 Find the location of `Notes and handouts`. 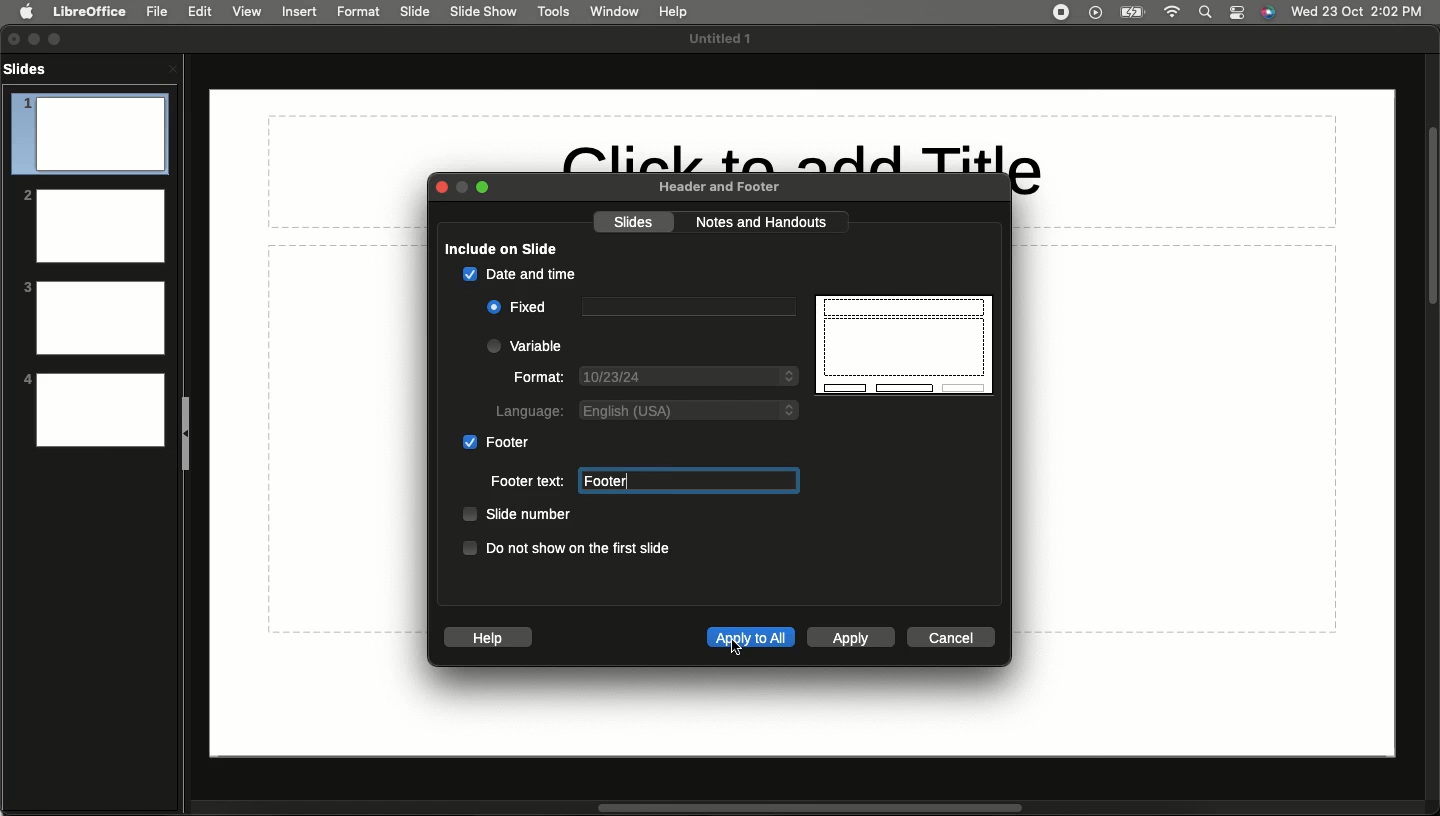

Notes and handouts is located at coordinates (763, 223).